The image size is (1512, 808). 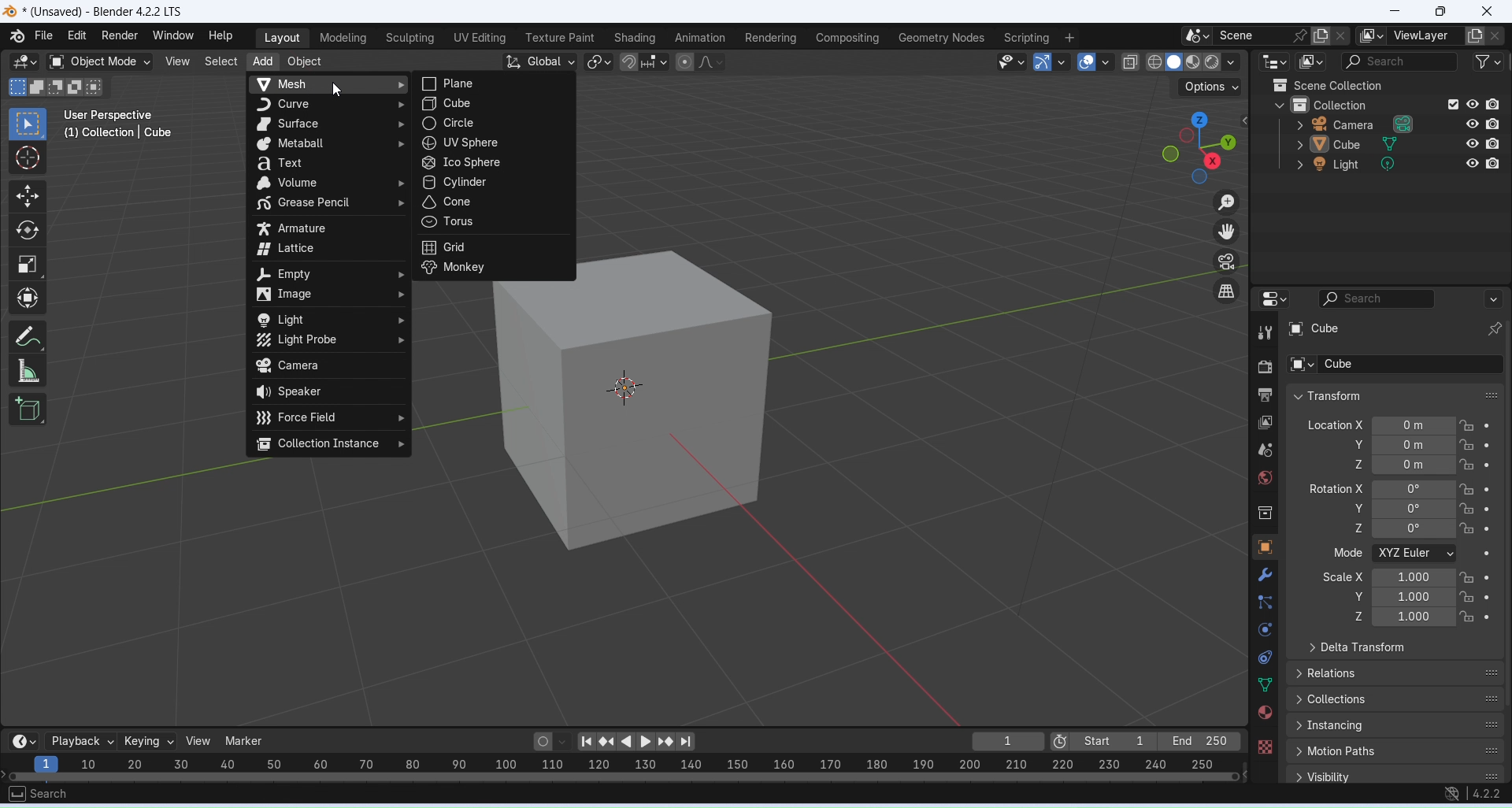 What do you see at coordinates (1325, 396) in the screenshot?
I see `Transform` at bounding box center [1325, 396].